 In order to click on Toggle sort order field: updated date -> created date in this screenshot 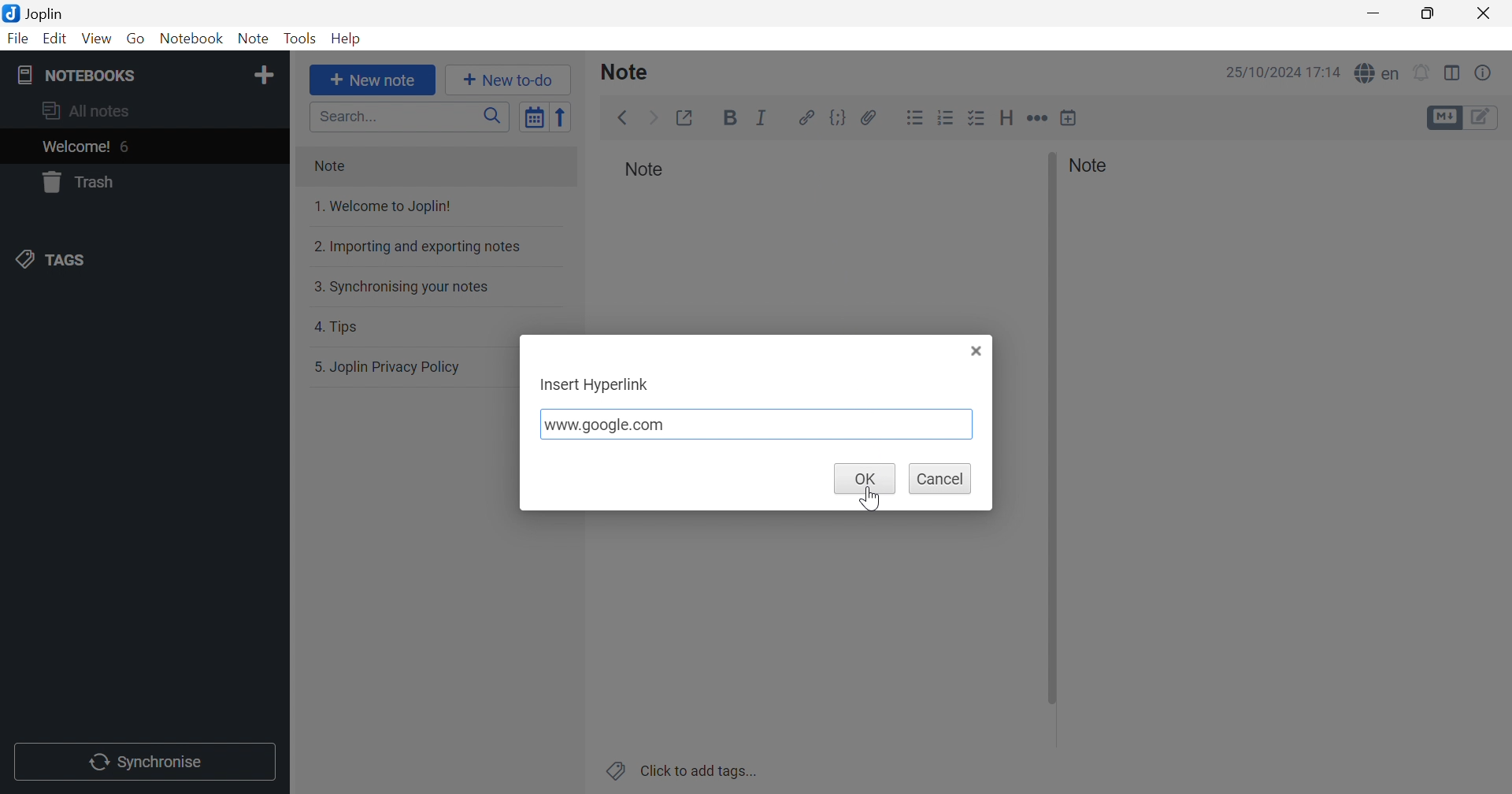, I will do `click(535, 118)`.